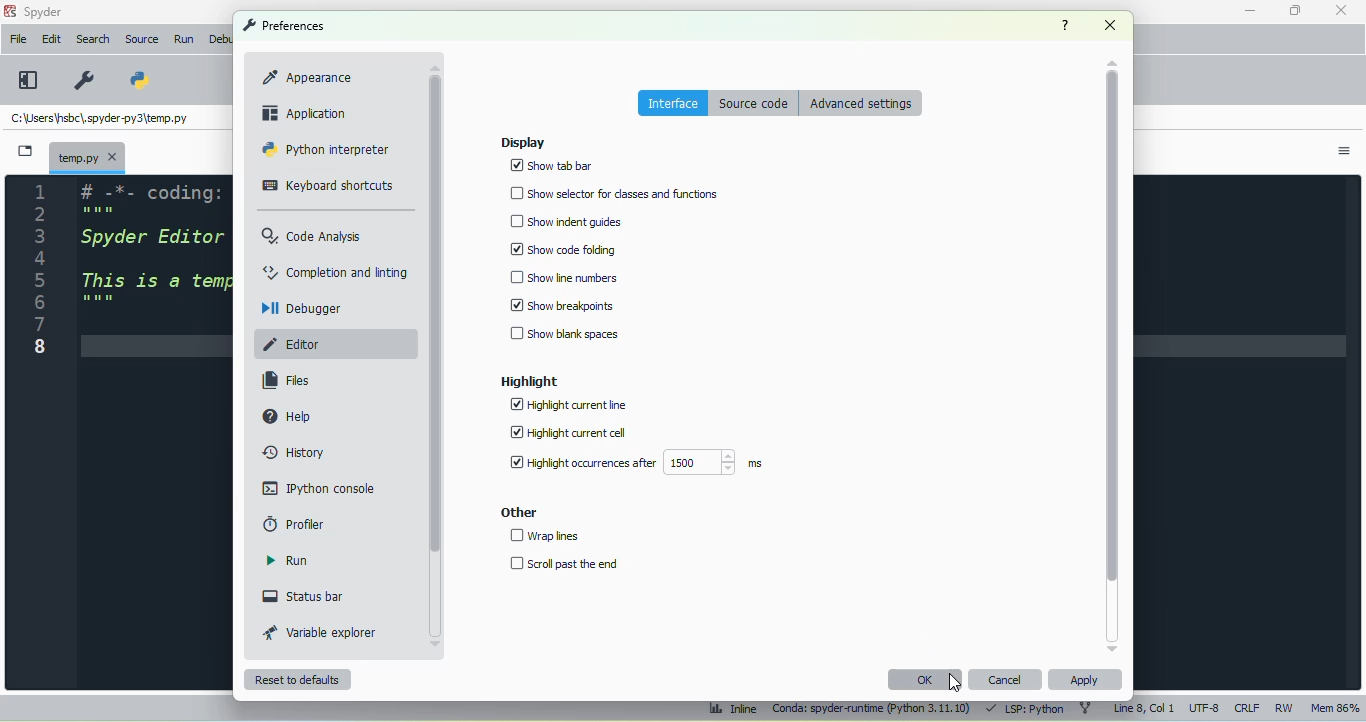 Image resolution: width=1366 pixels, height=722 pixels. I want to click on appearance, so click(307, 77).